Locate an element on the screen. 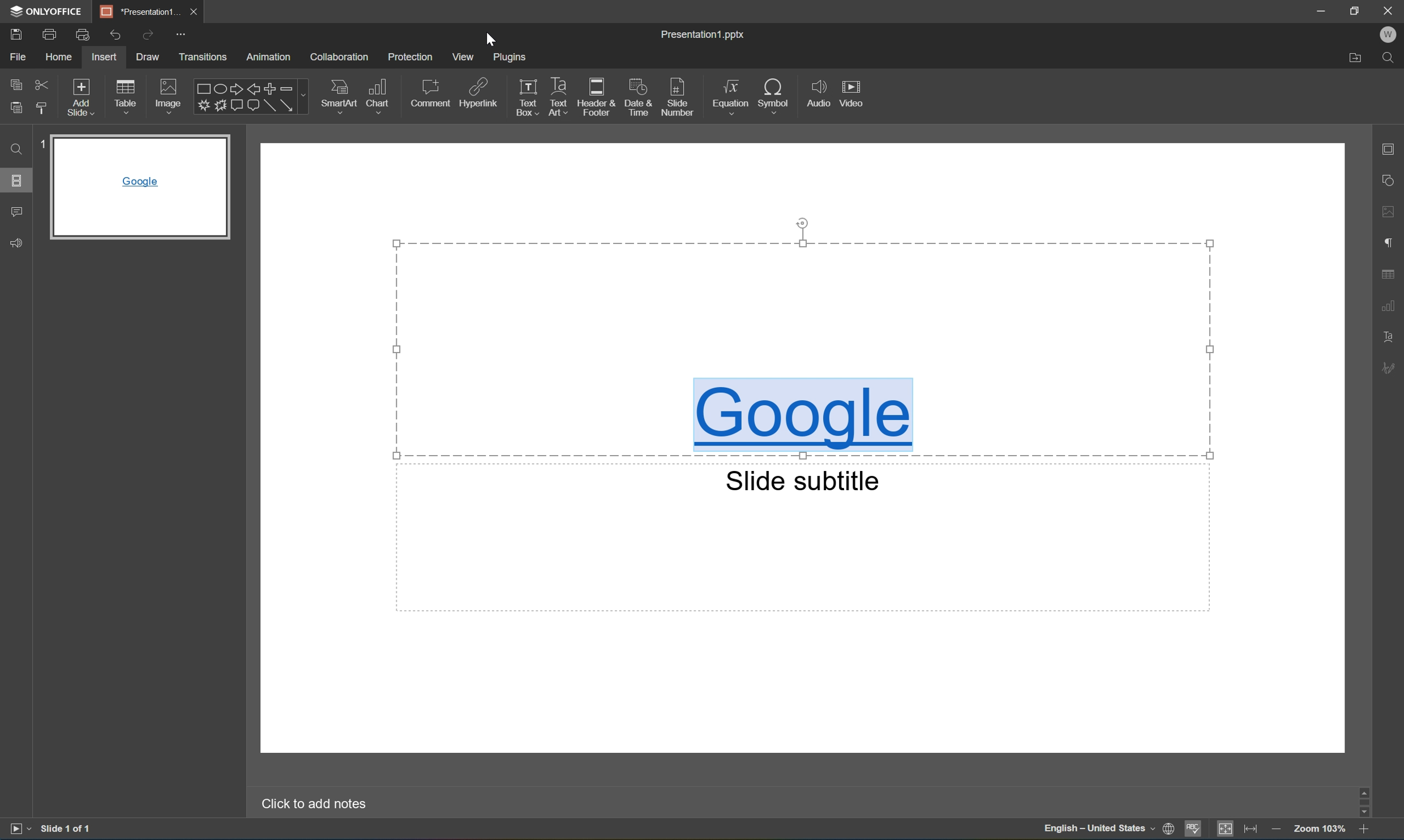 This screenshot has width=1404, height=840. Save is located at coordinates (15, 35).